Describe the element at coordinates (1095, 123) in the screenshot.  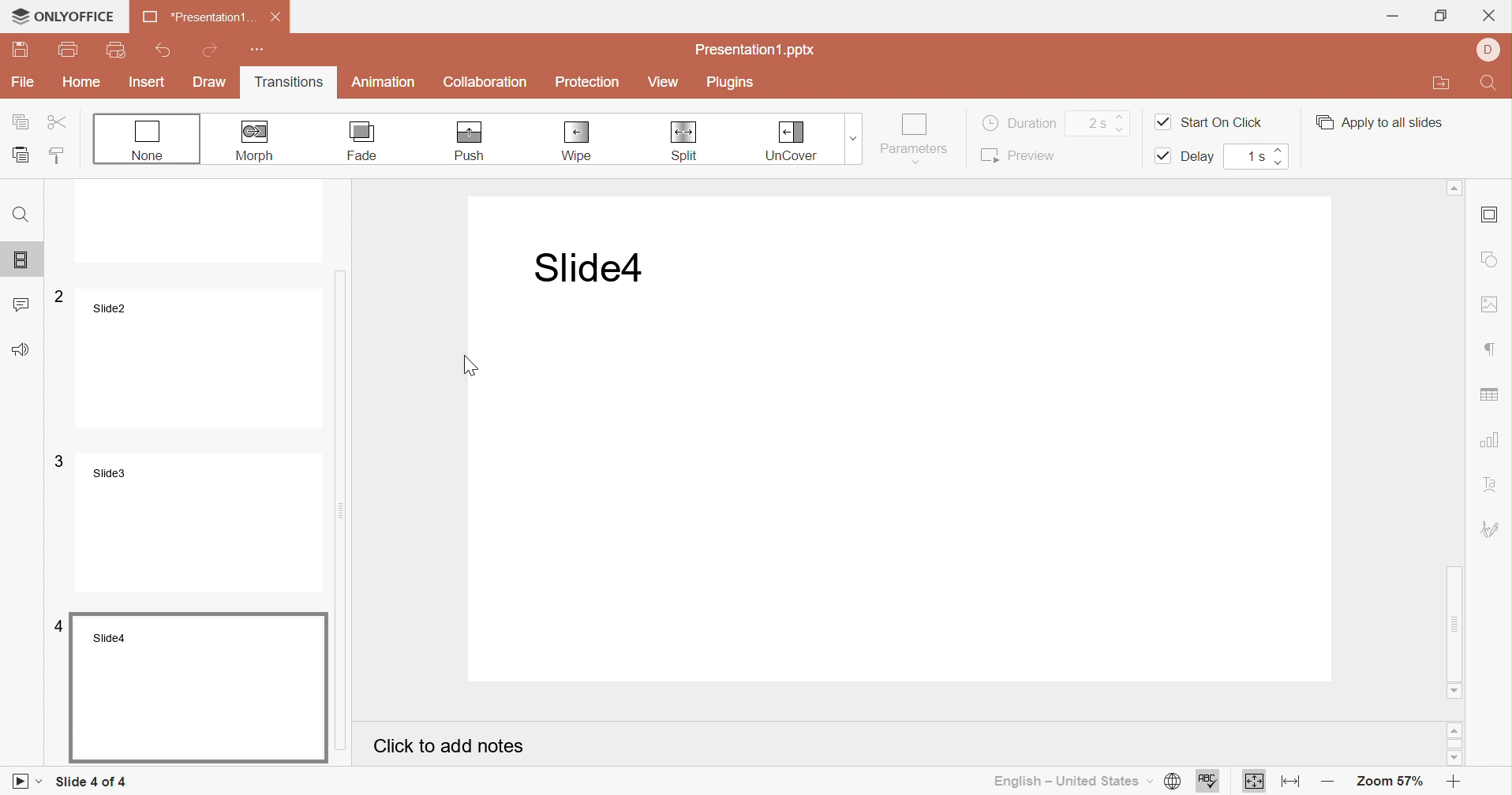
I see `2s` at that location.